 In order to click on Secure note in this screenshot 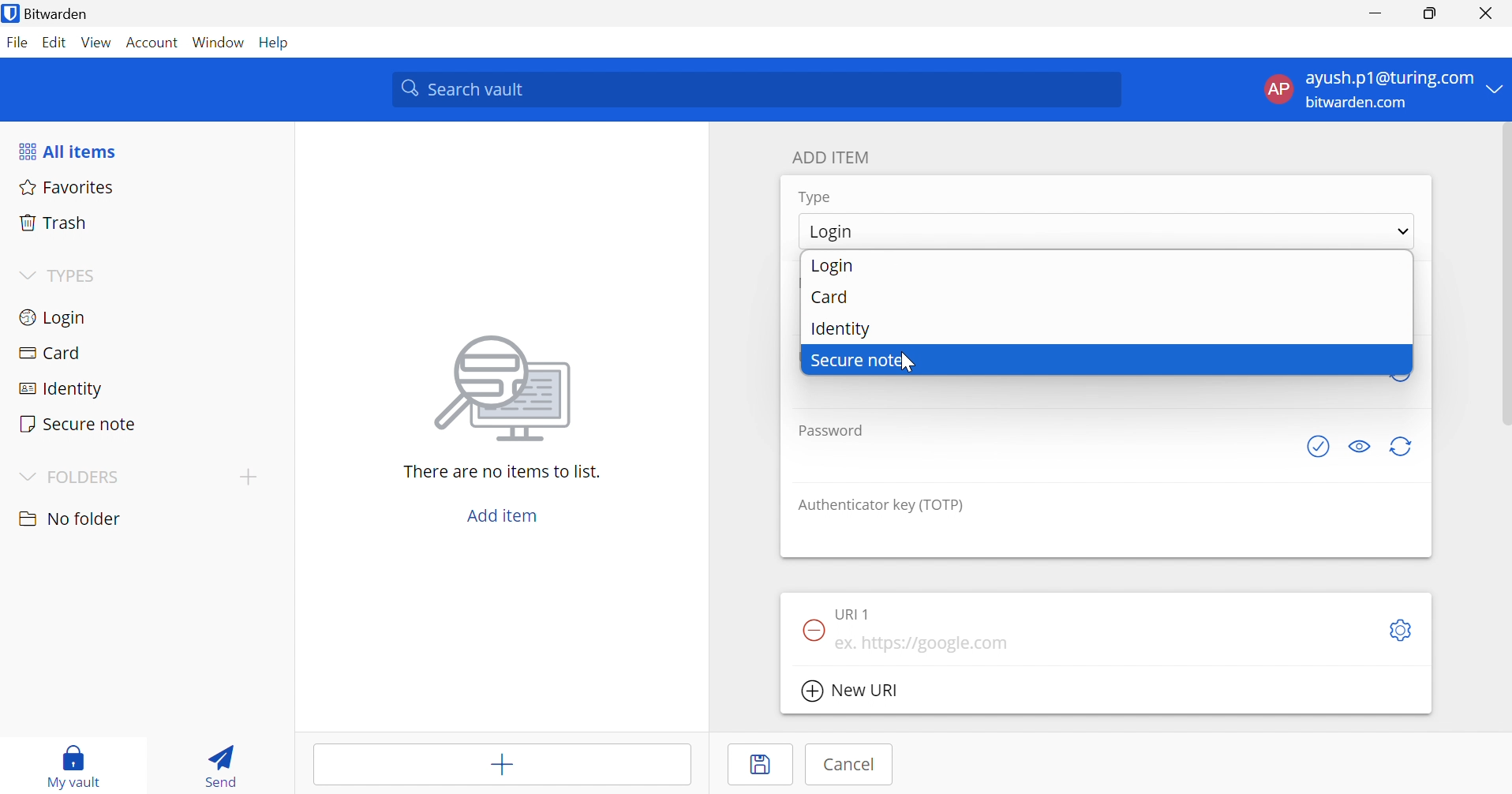, I will do `click(859, 361)`.